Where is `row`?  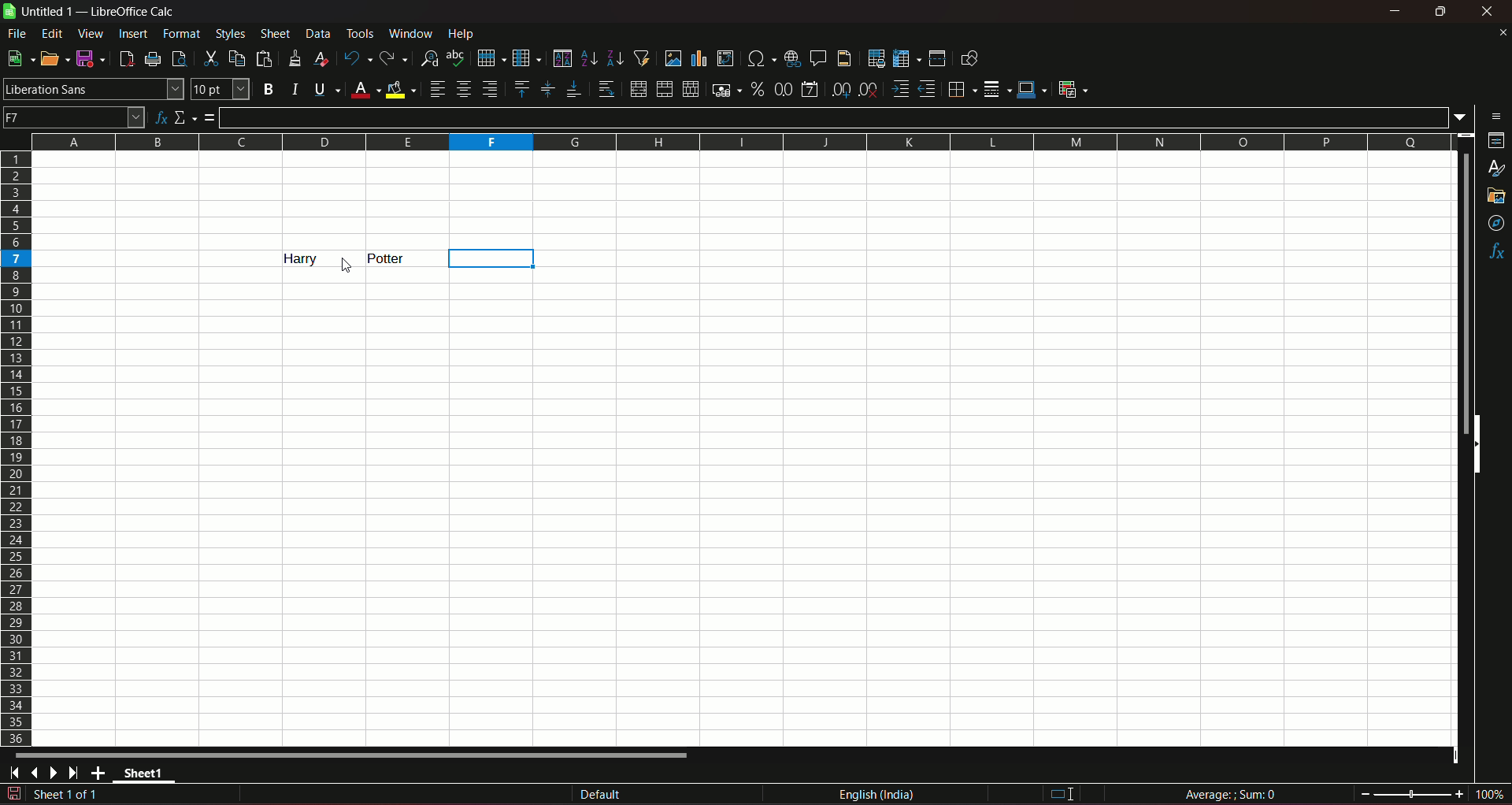 row is located at coordinates (487, 57).